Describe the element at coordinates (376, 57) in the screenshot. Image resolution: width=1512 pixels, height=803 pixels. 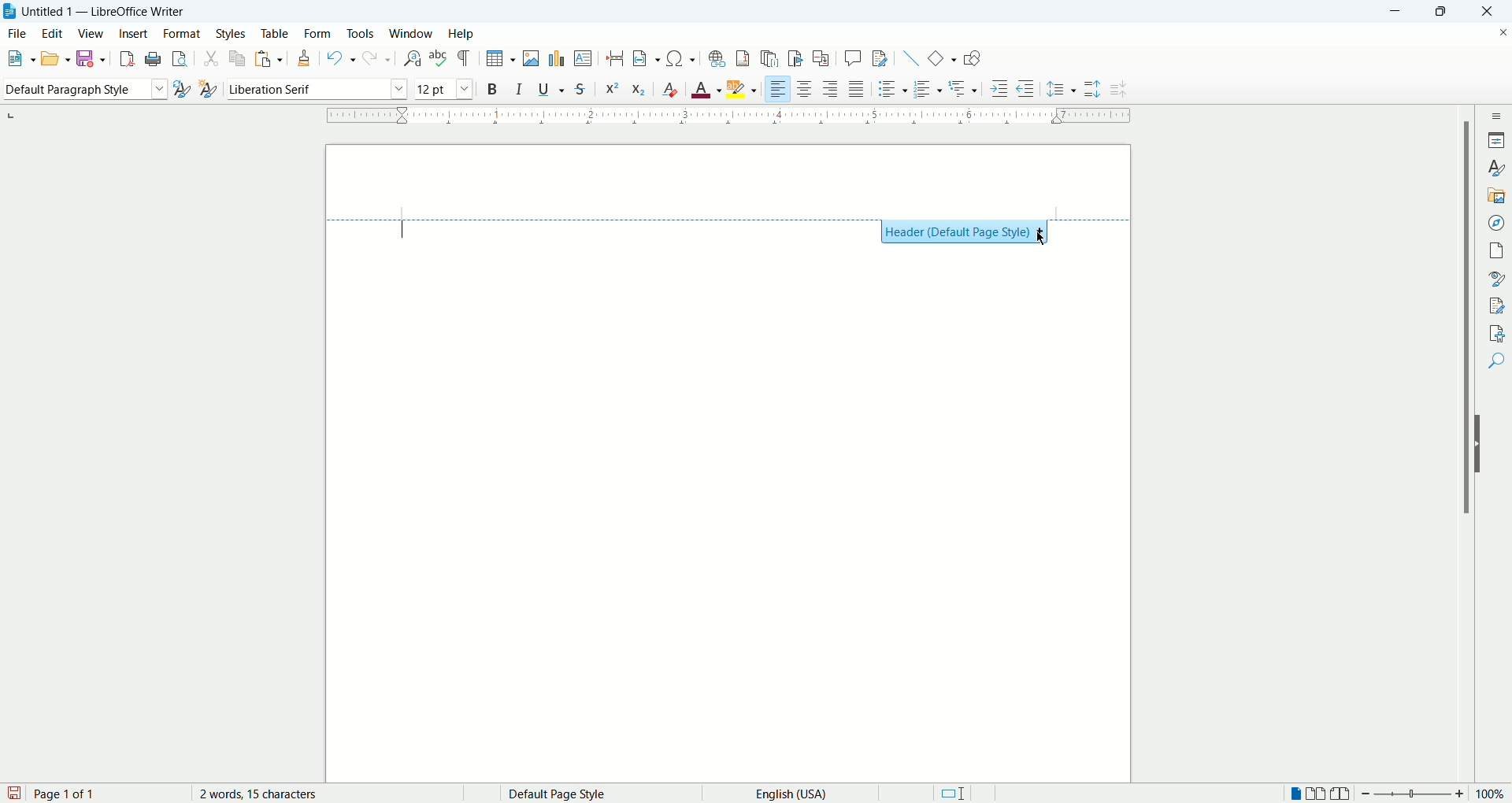
I see `redo` at that location.